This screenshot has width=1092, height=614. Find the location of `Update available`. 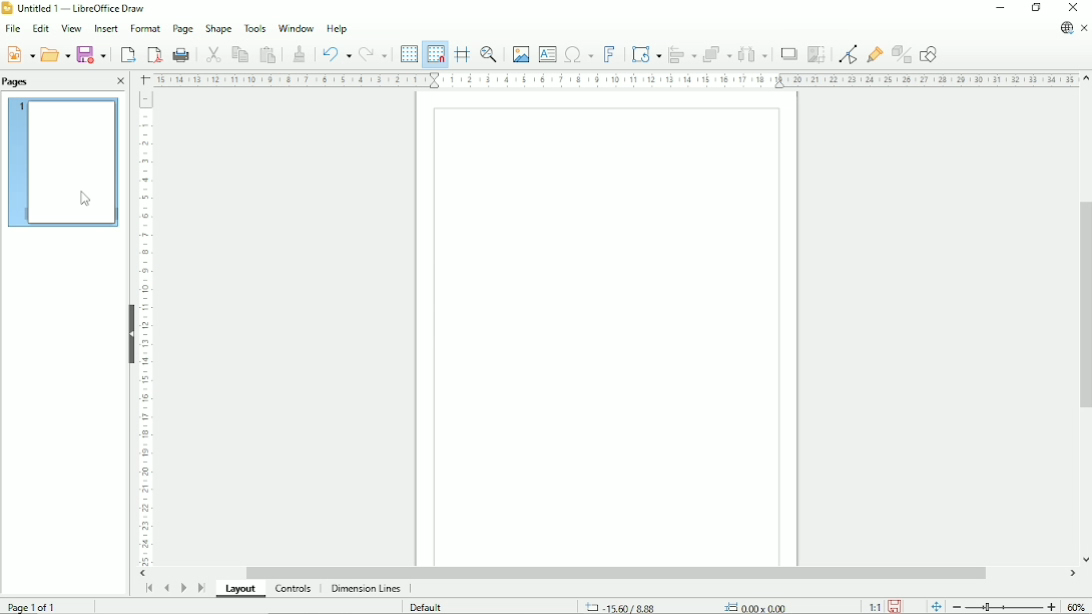

Update available is located at coordinates (1066, 28).